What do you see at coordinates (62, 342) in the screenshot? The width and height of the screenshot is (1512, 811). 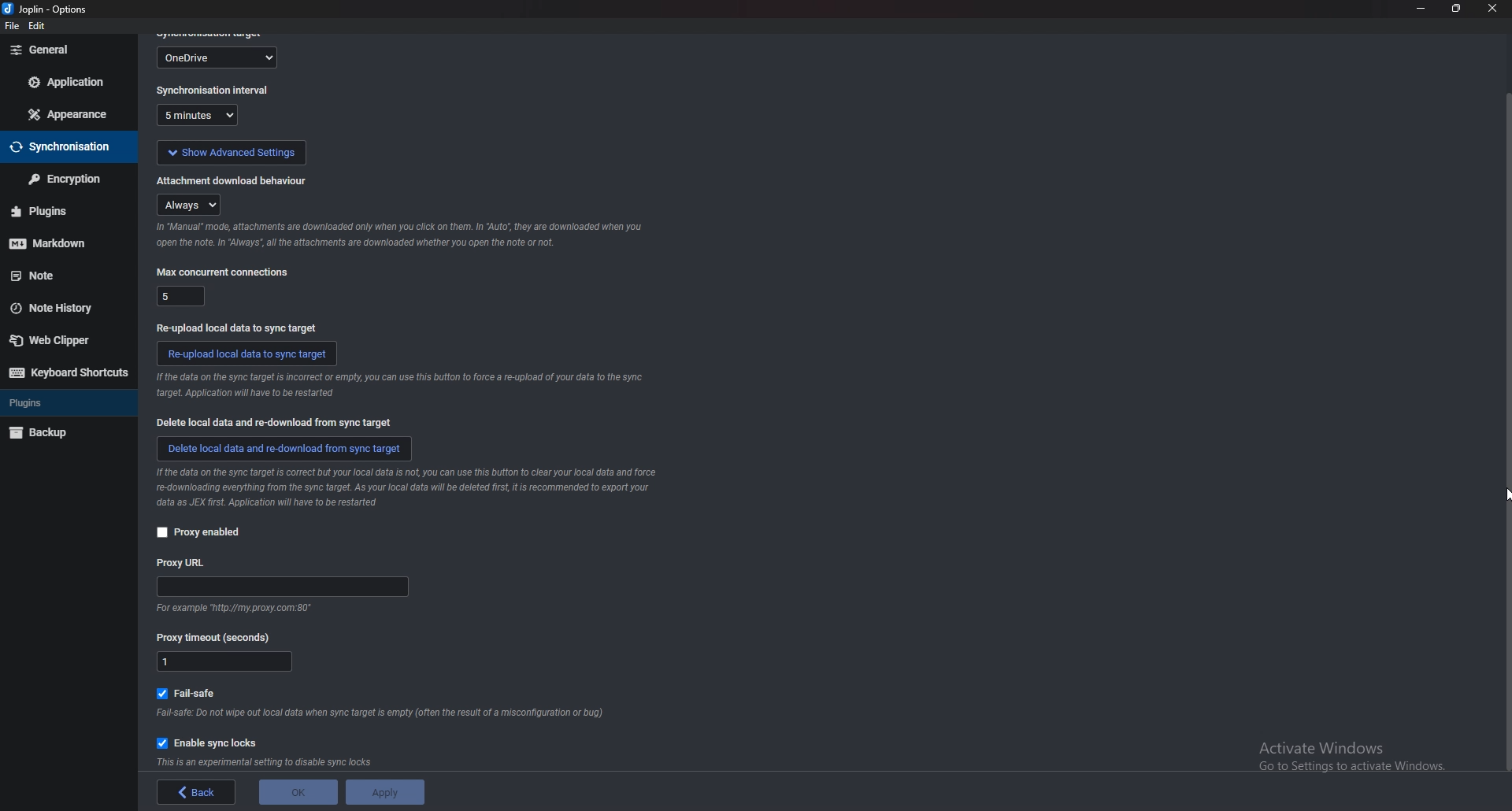 I see `web clipper` at bounding box center [62, 342].